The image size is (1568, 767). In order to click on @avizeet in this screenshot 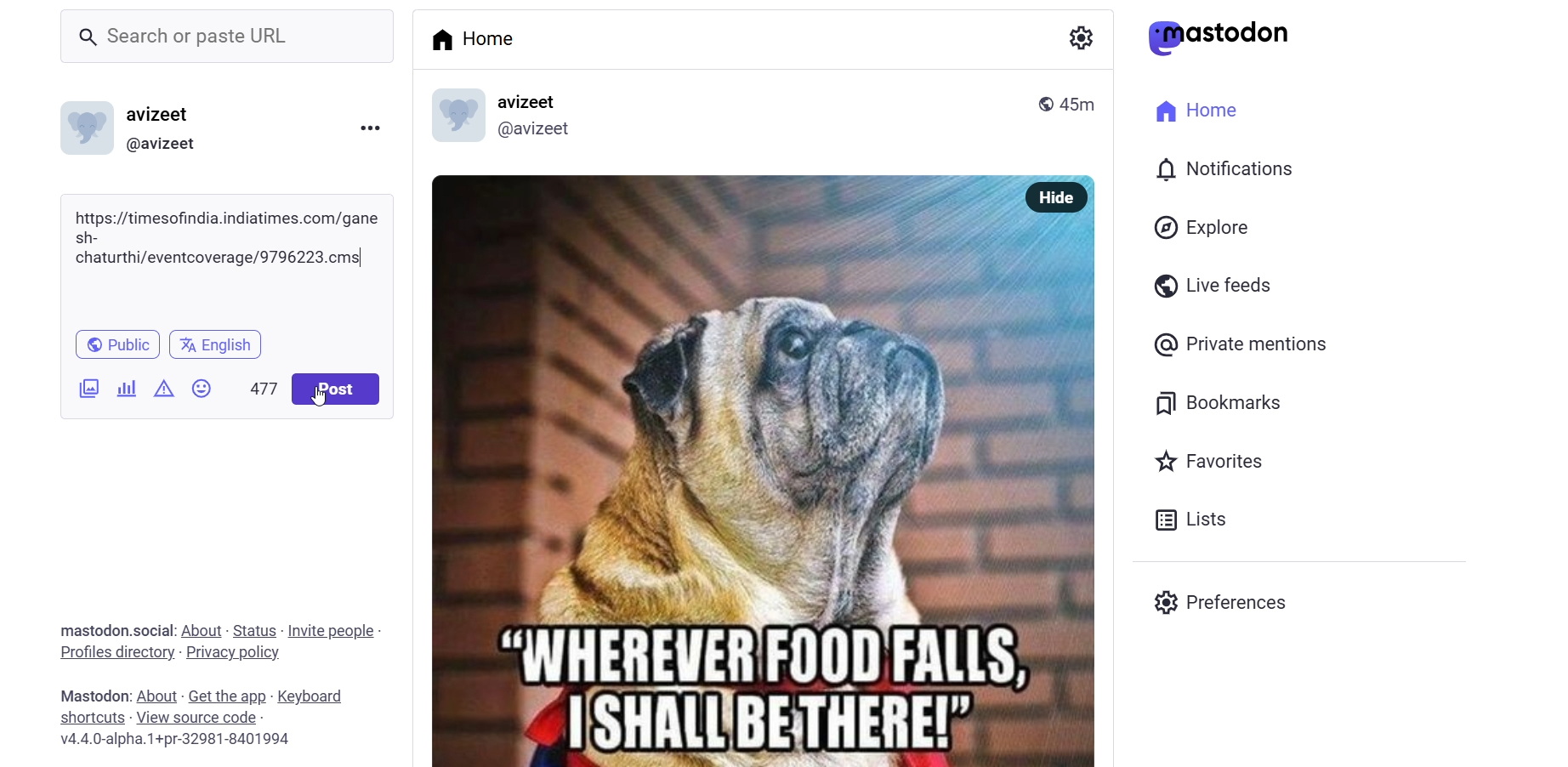, I will do `click(556, 130)`.